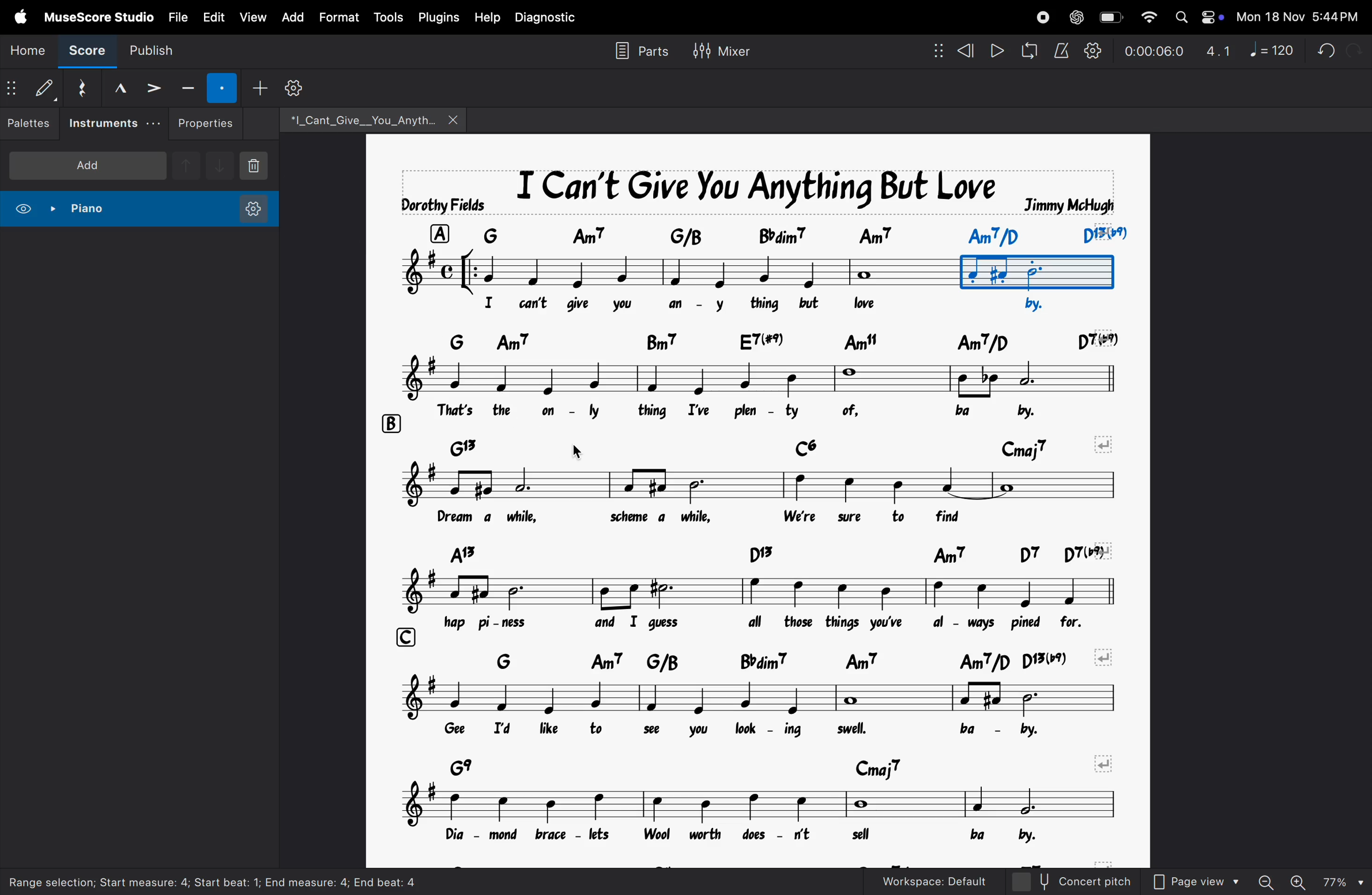 The height and width of the screenshot is (895, 1372). Describe the element at coordinates (98, 18) in the screenshot. I see `musescore studio` at that location.